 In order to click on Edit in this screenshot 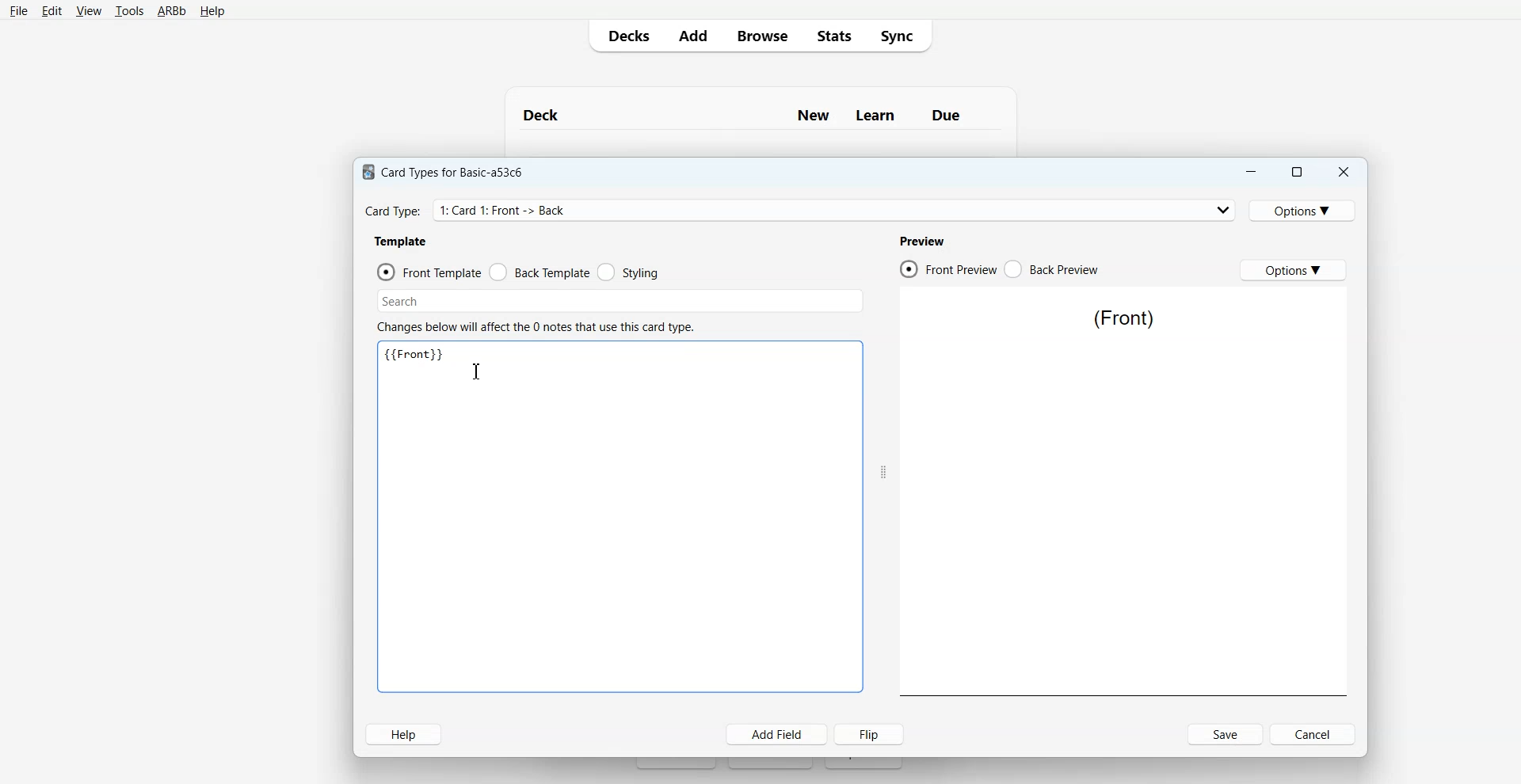, I will do `click(52, 11)`.